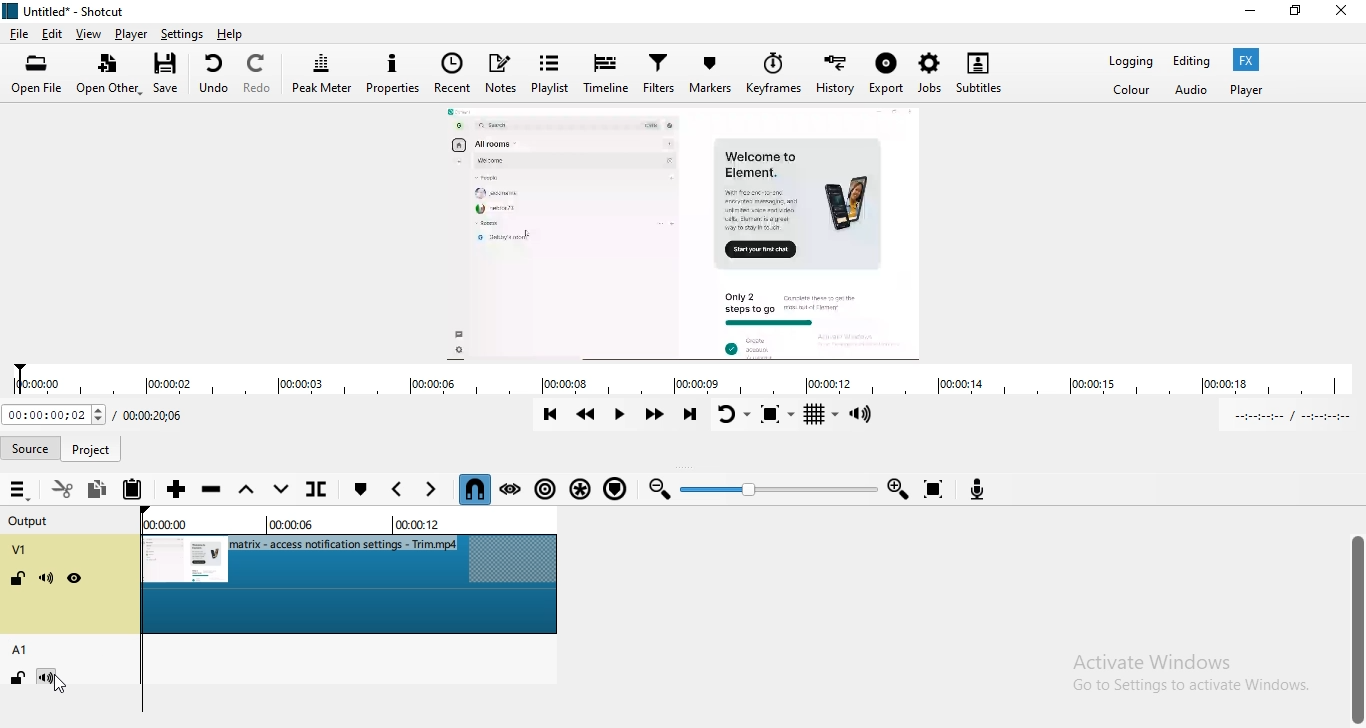  What do you see at coordinates (1196, 60) in the screenshot?
I see `Editing` at bounding box center [1196, 60].